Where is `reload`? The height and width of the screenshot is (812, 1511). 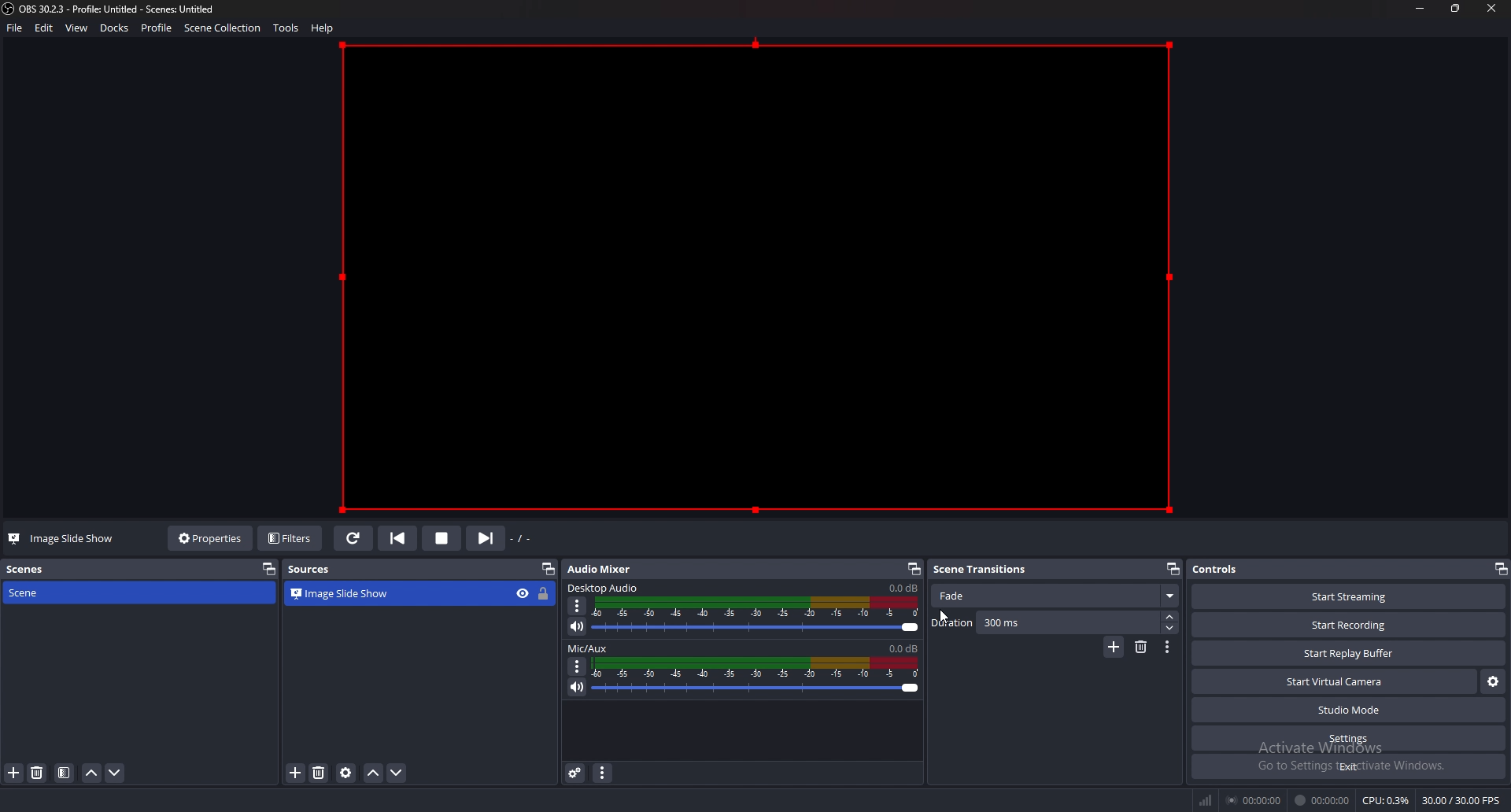 reload is located at coordinates (355, 539).